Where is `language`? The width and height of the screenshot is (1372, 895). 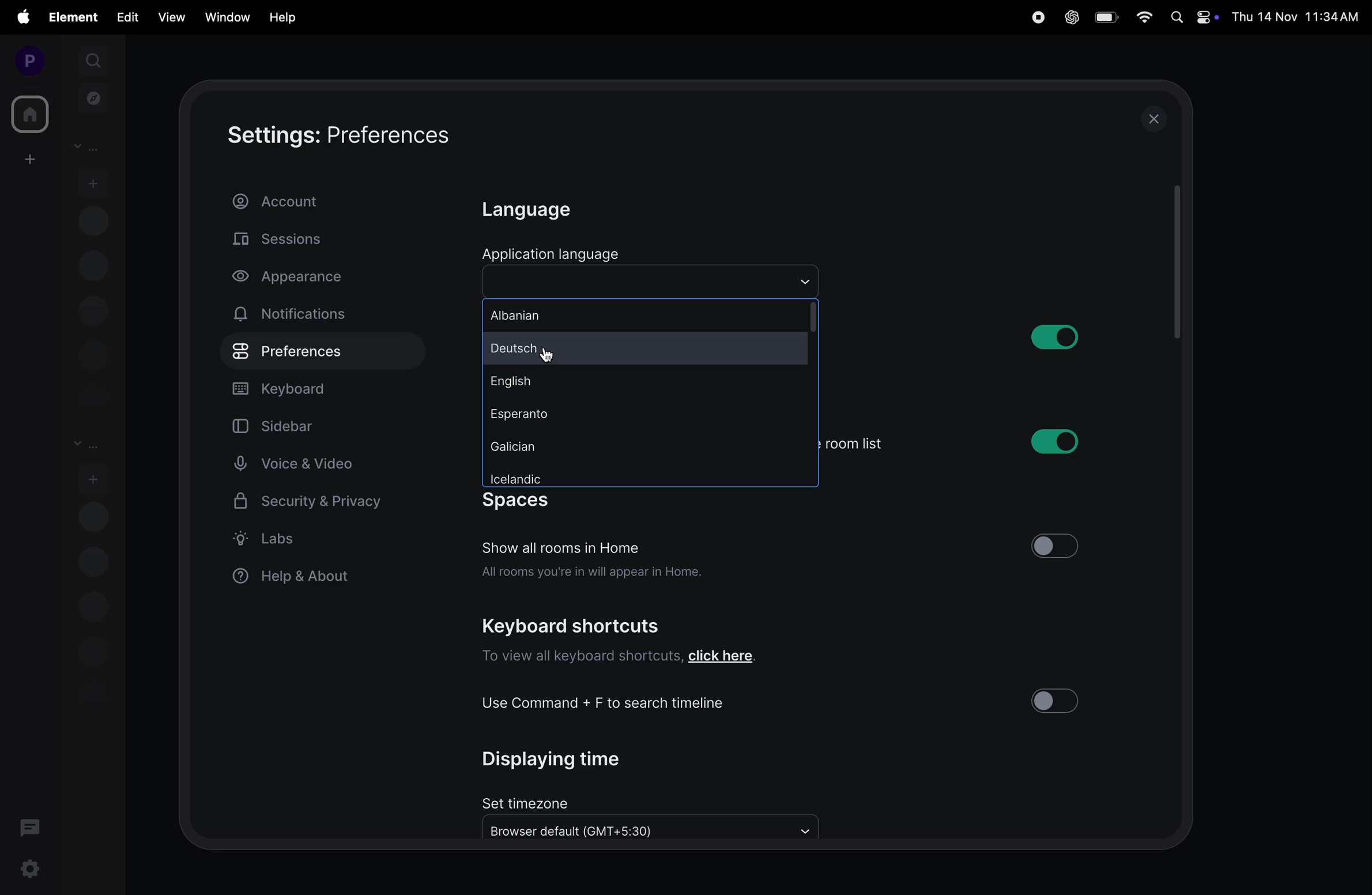 language is located at coordinates (526, 210).